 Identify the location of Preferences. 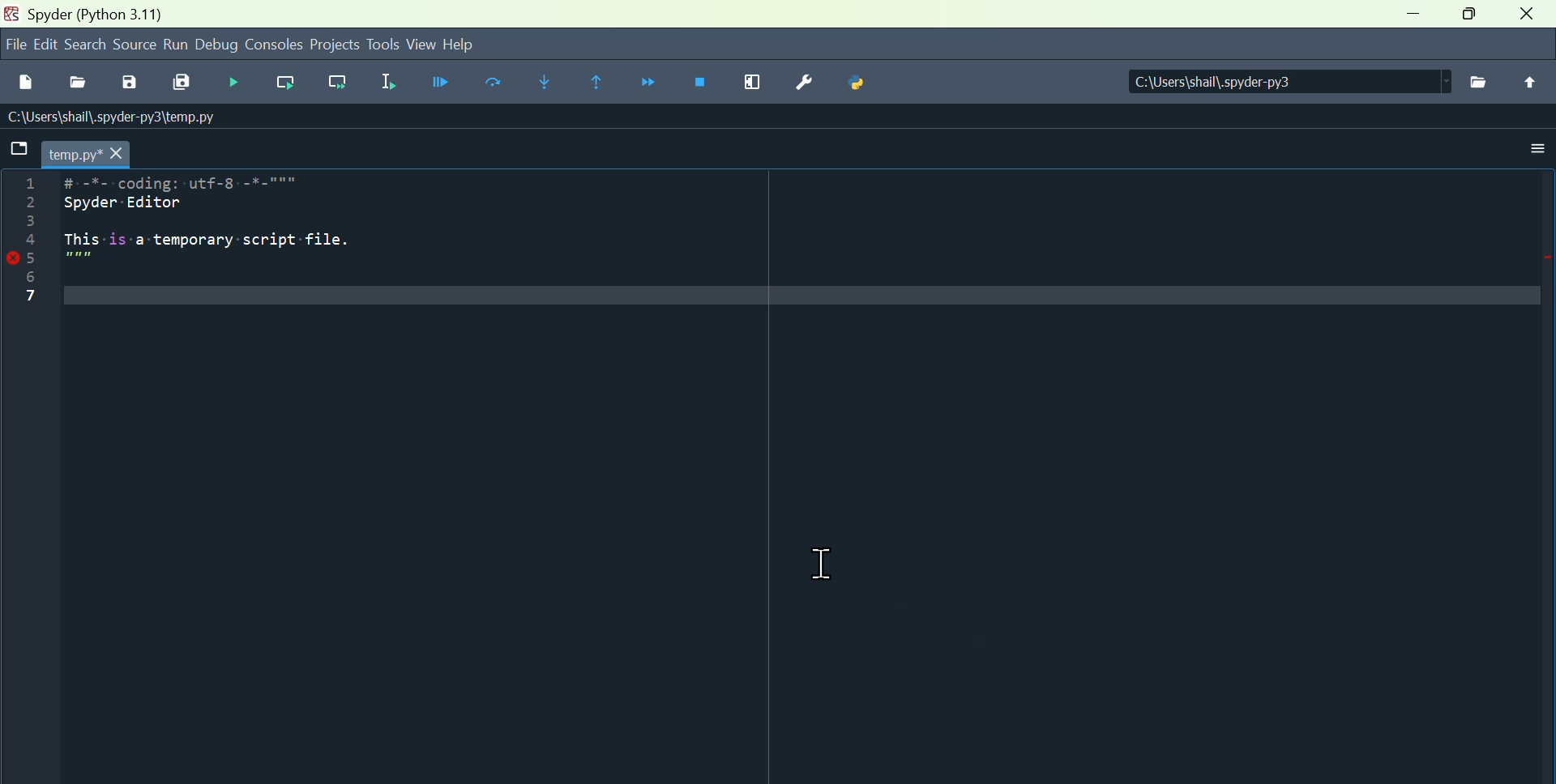
(805, 83).